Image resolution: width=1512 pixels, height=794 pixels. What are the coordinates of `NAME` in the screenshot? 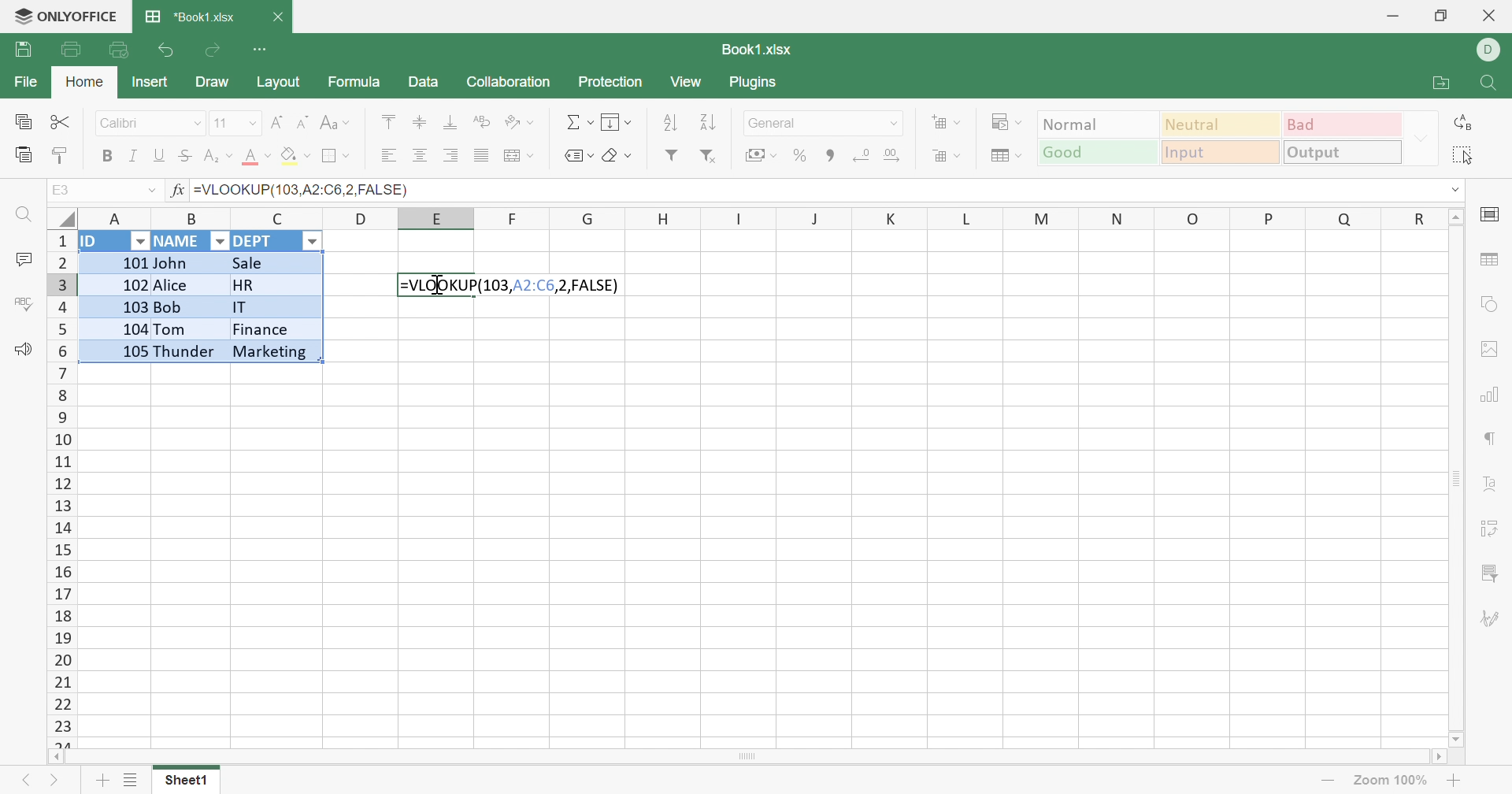 It's located at (179, 243).